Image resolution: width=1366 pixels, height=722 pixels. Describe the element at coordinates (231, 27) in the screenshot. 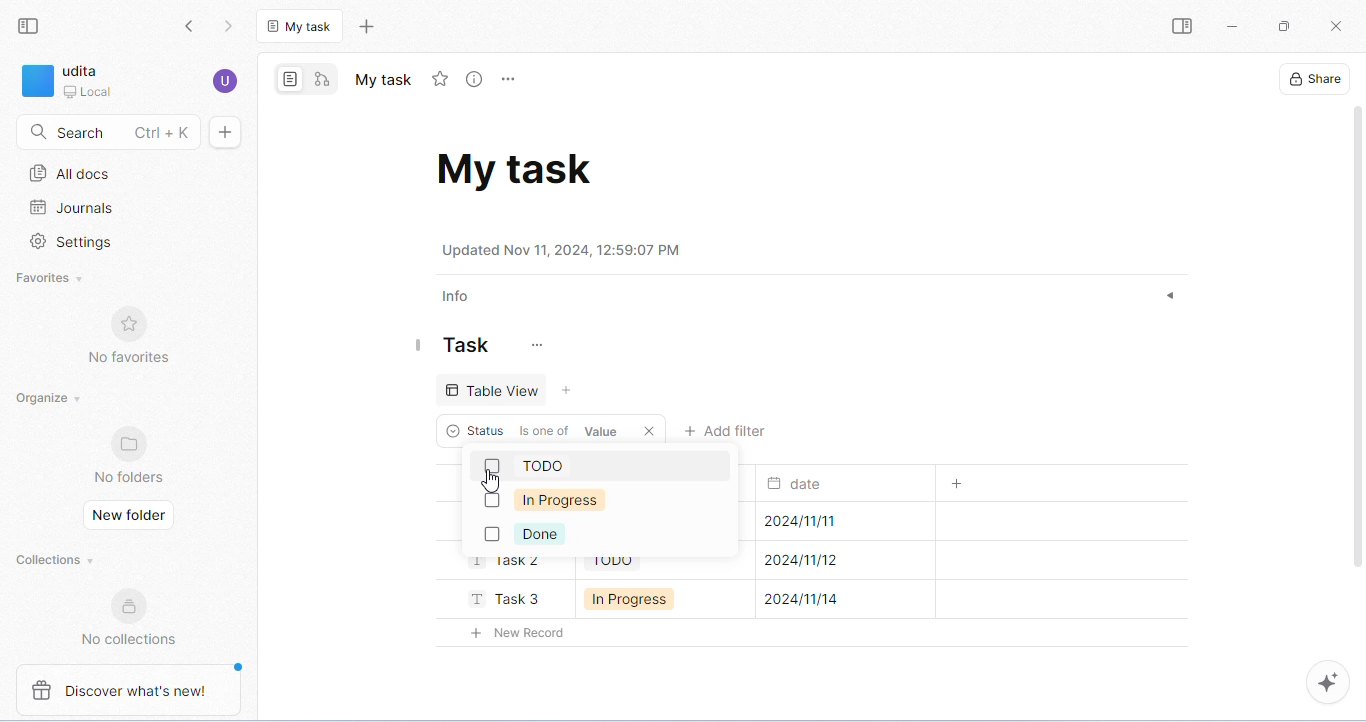

I see `go forward` at that location.